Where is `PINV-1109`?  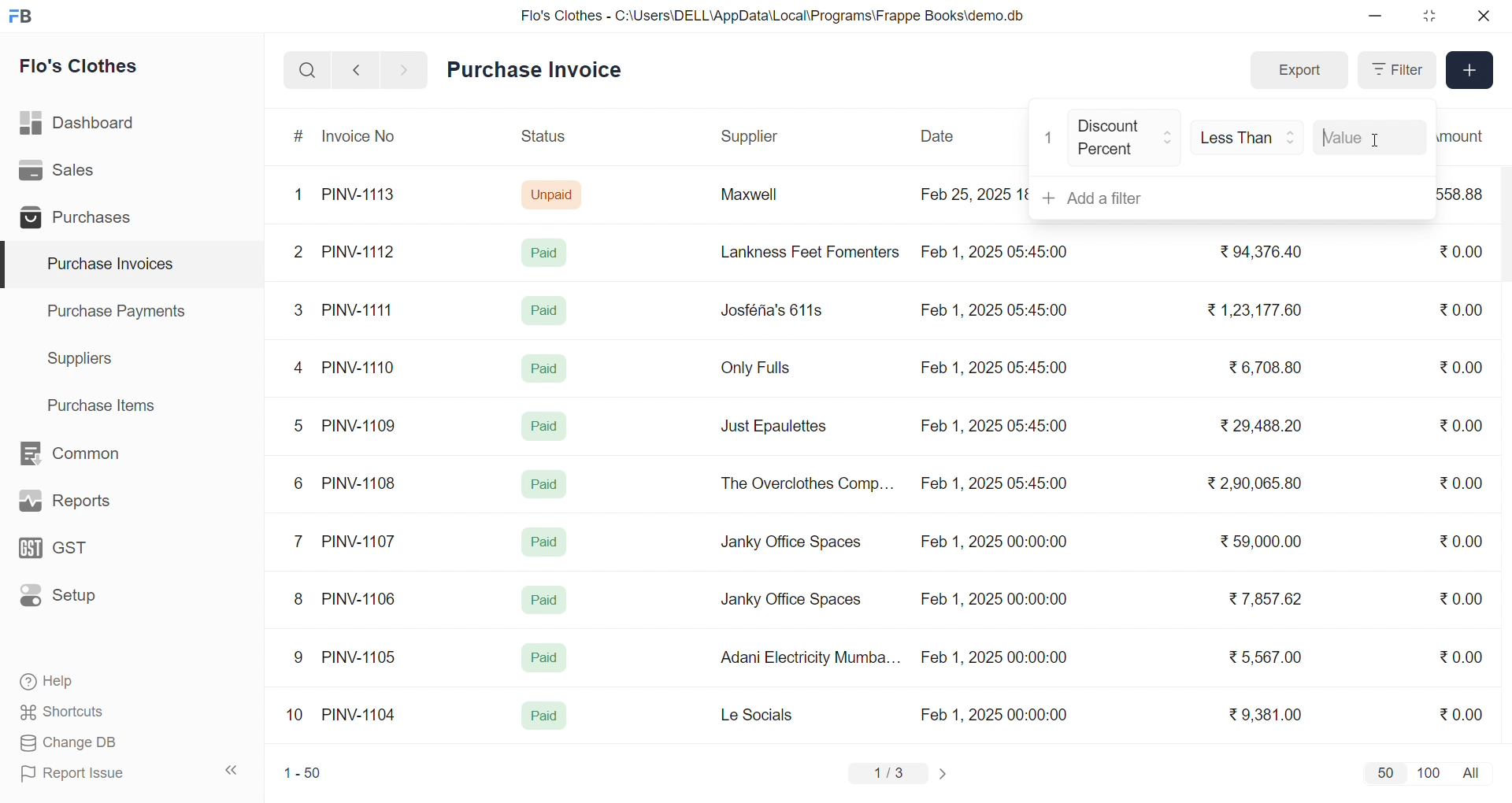
PINV-1109 is located at coordinates (361, 425).